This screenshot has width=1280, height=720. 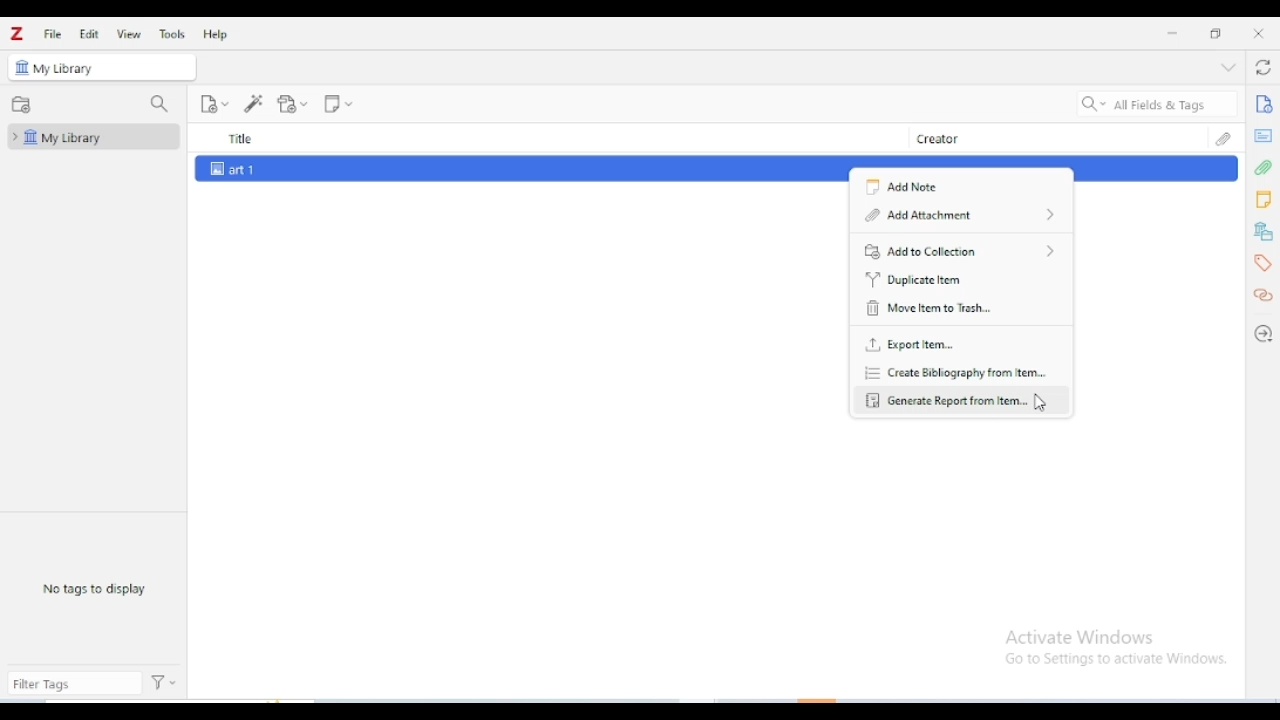 I want to click on title, so click(x=553, y=137).